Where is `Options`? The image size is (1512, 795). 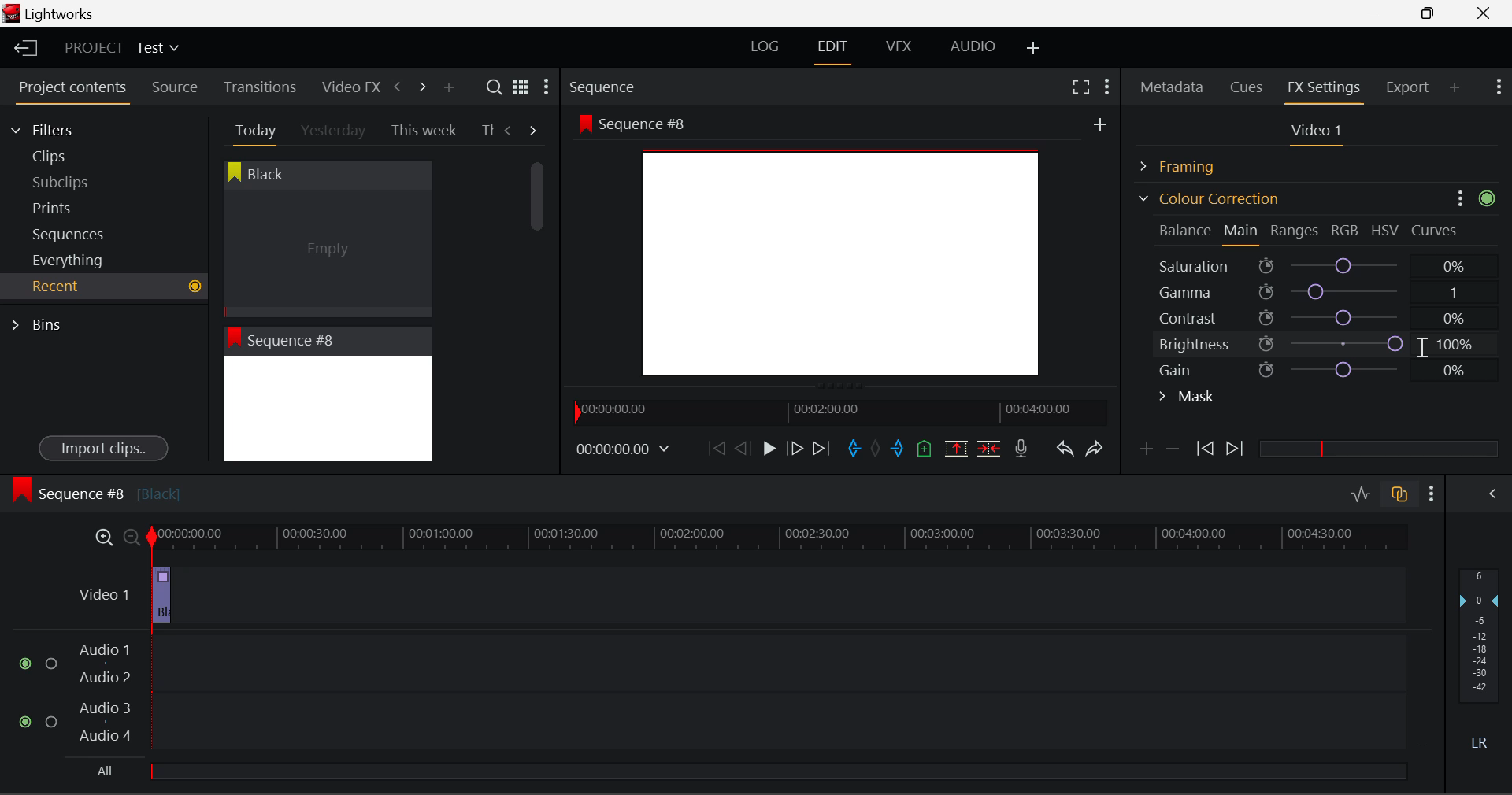 Options is located at coordinates (1458, 201).